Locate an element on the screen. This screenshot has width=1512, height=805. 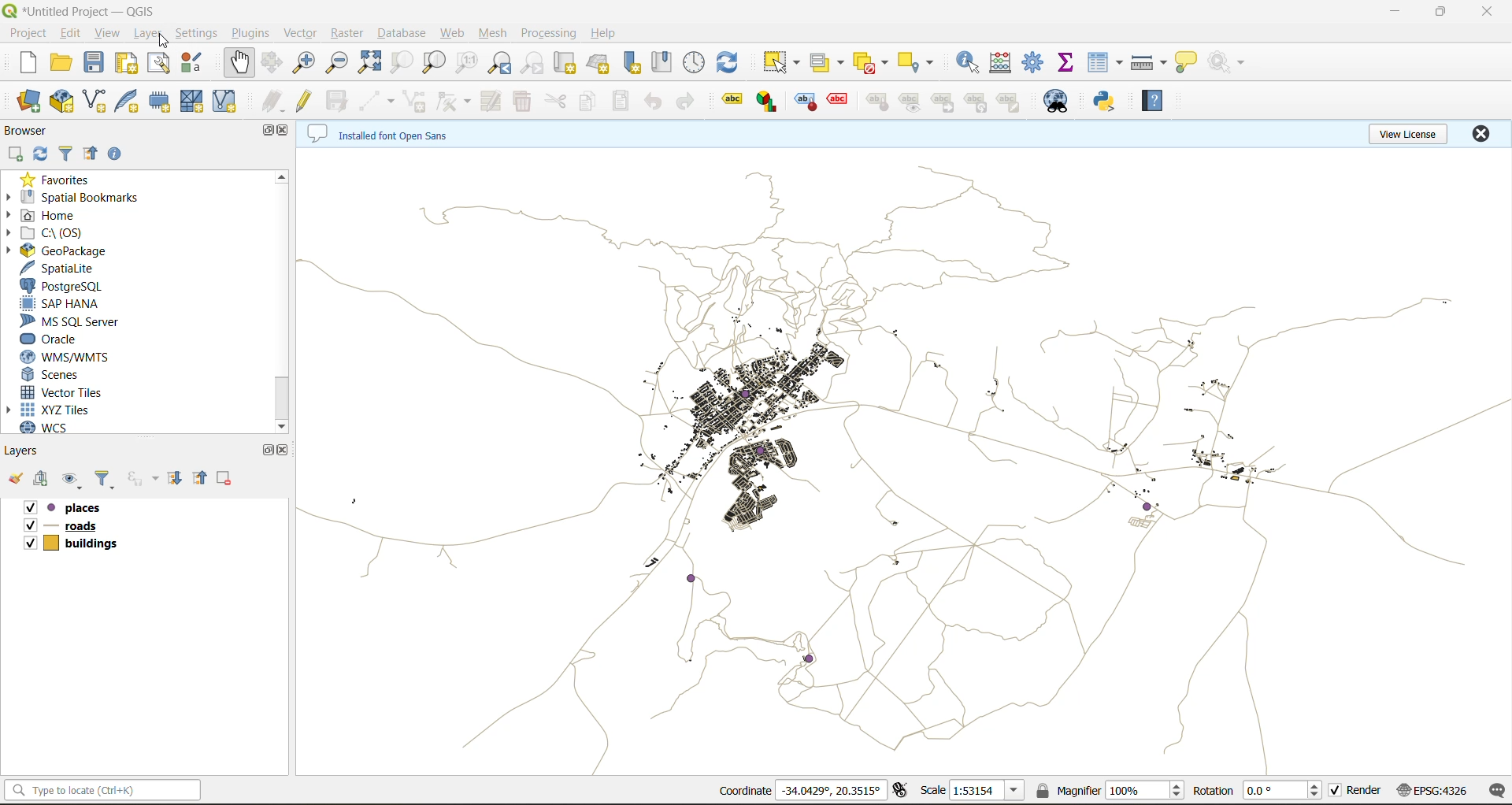
wms is located at coordinates (76, 357).